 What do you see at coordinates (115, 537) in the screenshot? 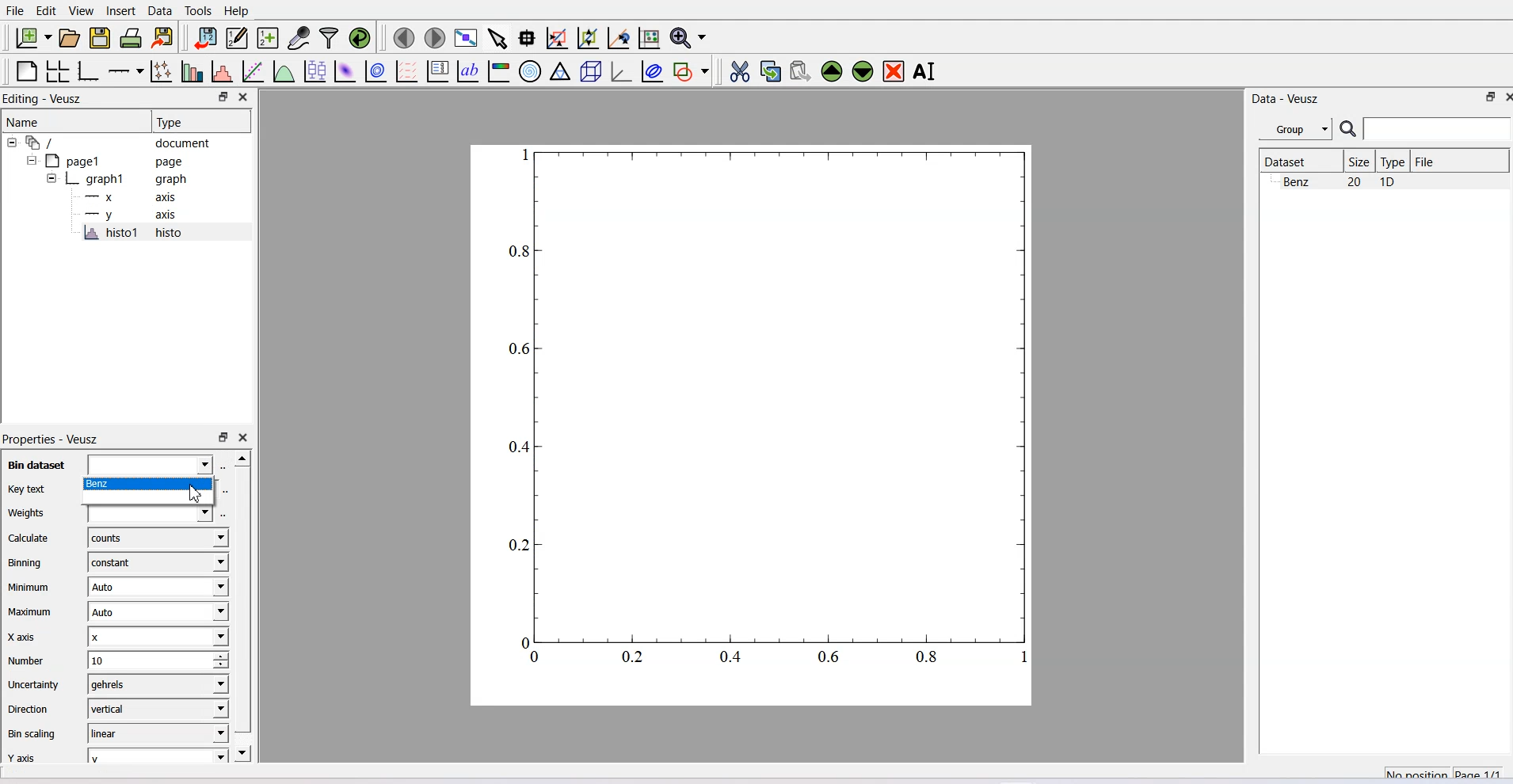
I see `Calculate - counts` at bounding box center [115, 537].